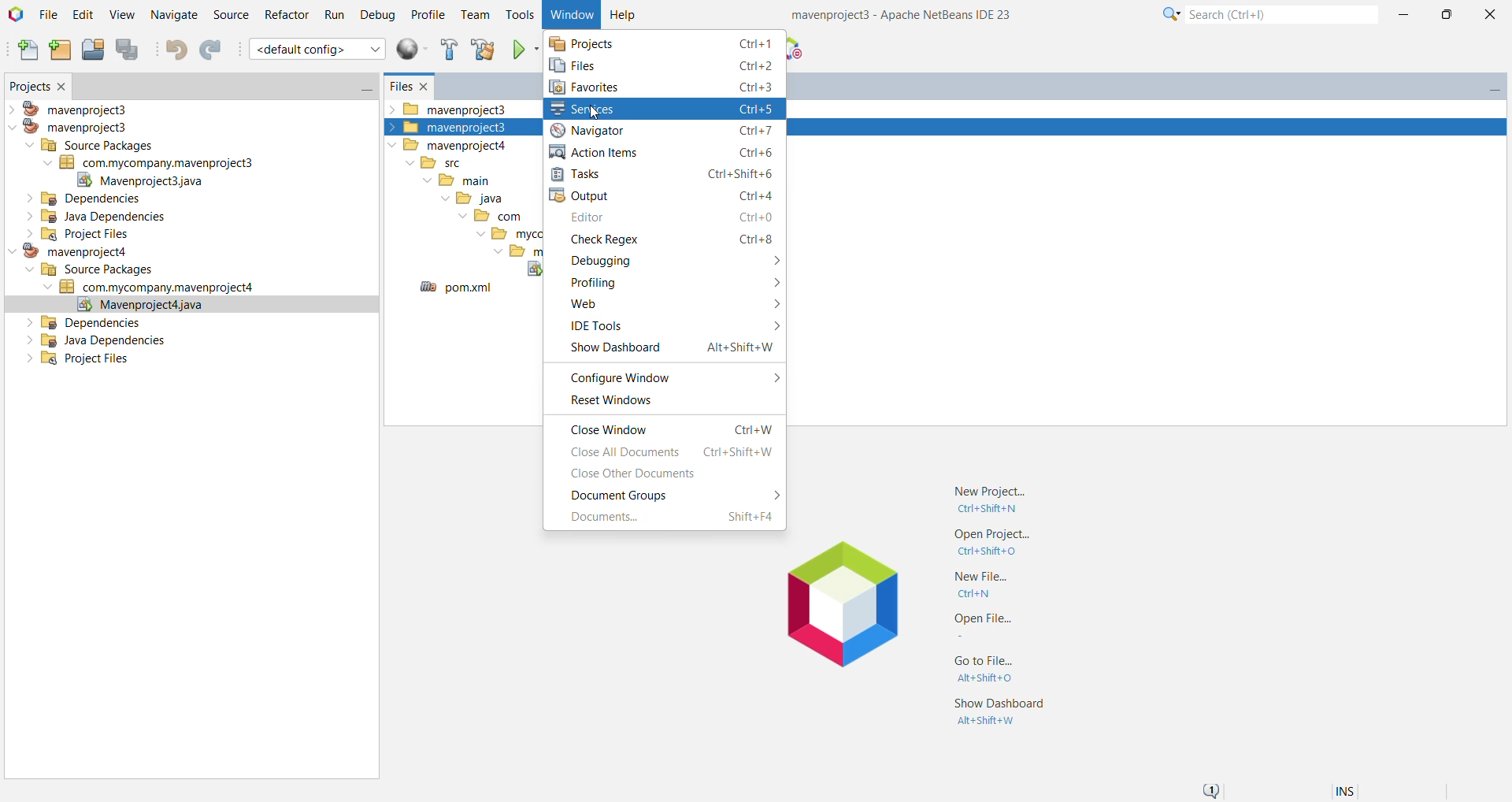 Image resolution: width=1512 pixels, height=802 pixels. What do you see at coordinates (672, 518) in the screenshot?
I see `Documents` at bounding box center [672, 518].